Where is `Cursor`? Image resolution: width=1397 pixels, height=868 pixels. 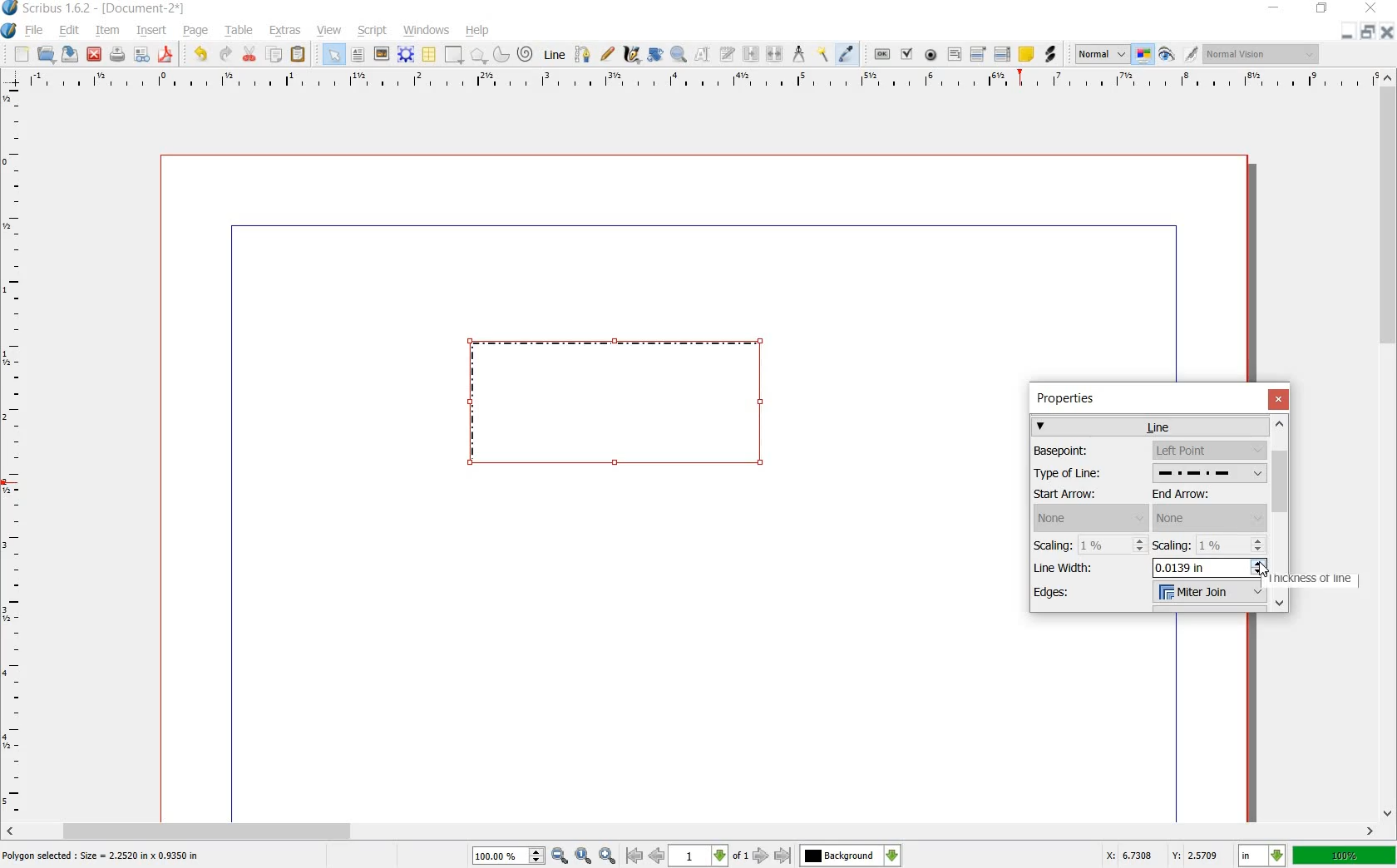 Cursor is located at coordinates (1264, 568).